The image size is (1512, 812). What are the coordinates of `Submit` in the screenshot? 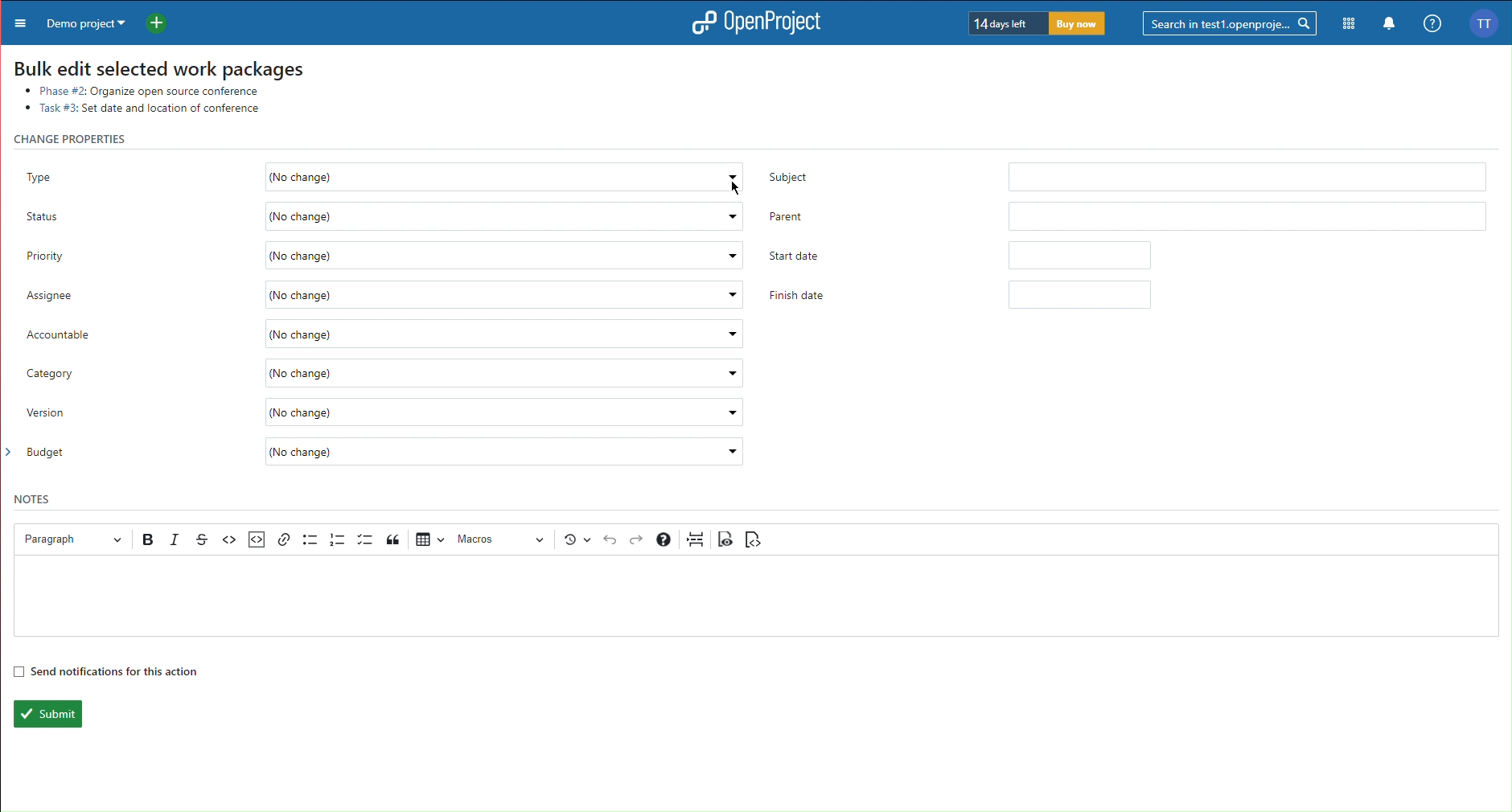 It's located at (46, 714).